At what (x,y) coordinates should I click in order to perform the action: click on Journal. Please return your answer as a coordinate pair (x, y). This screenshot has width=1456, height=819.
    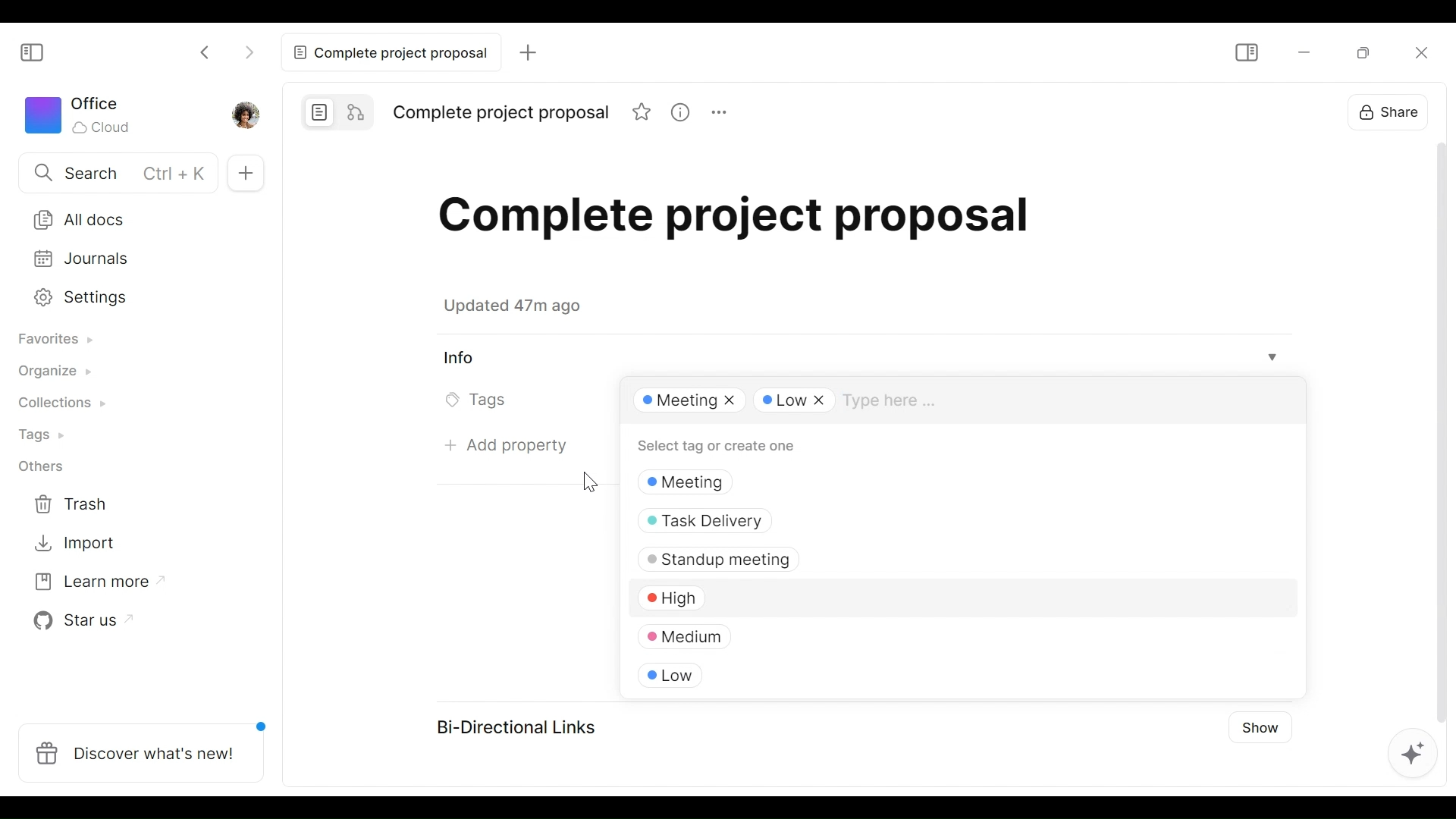
    Looking at the image, I should click on (128, 260).